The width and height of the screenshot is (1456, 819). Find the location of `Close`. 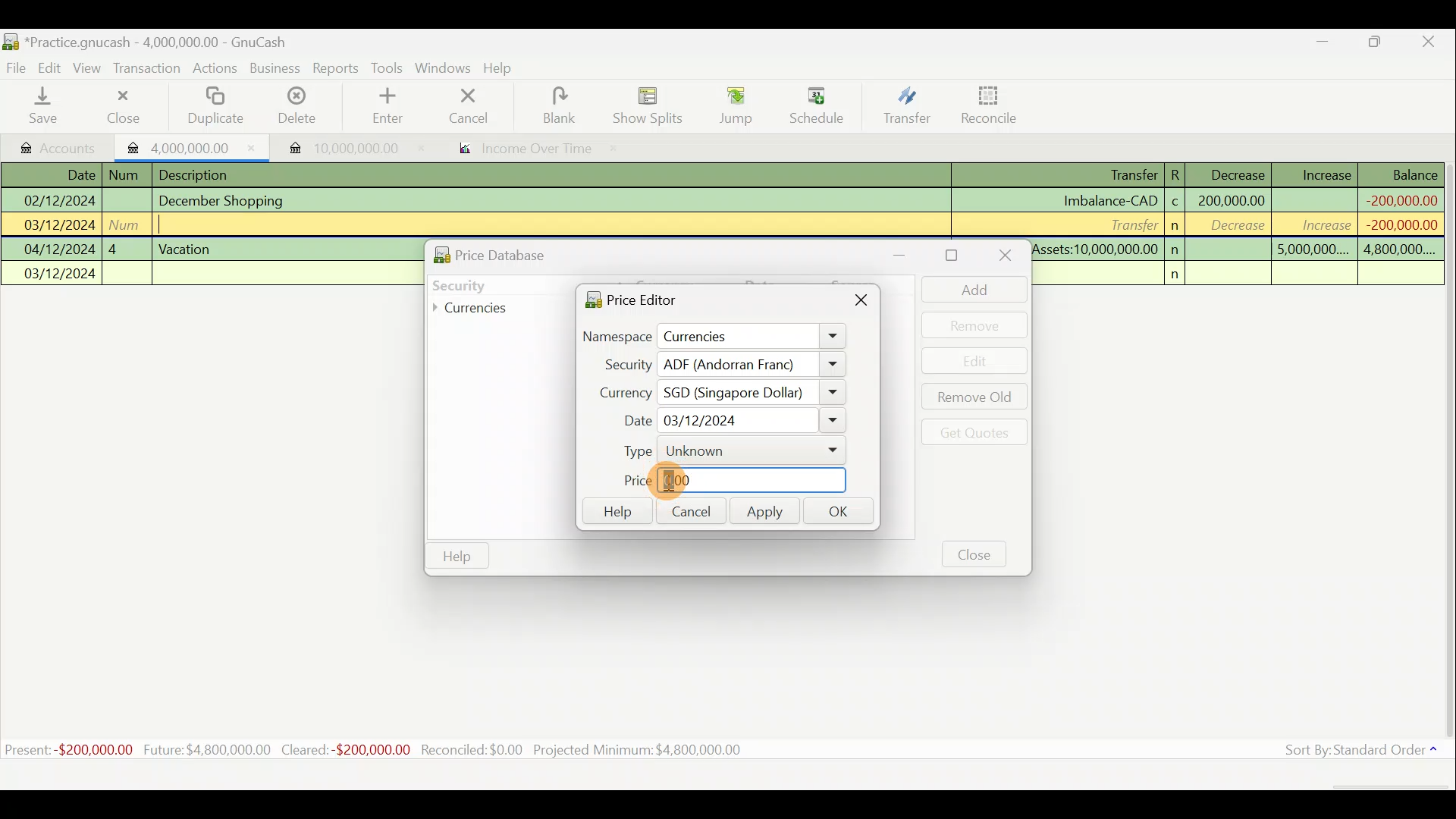

Close is located at coordinates (121, 106).